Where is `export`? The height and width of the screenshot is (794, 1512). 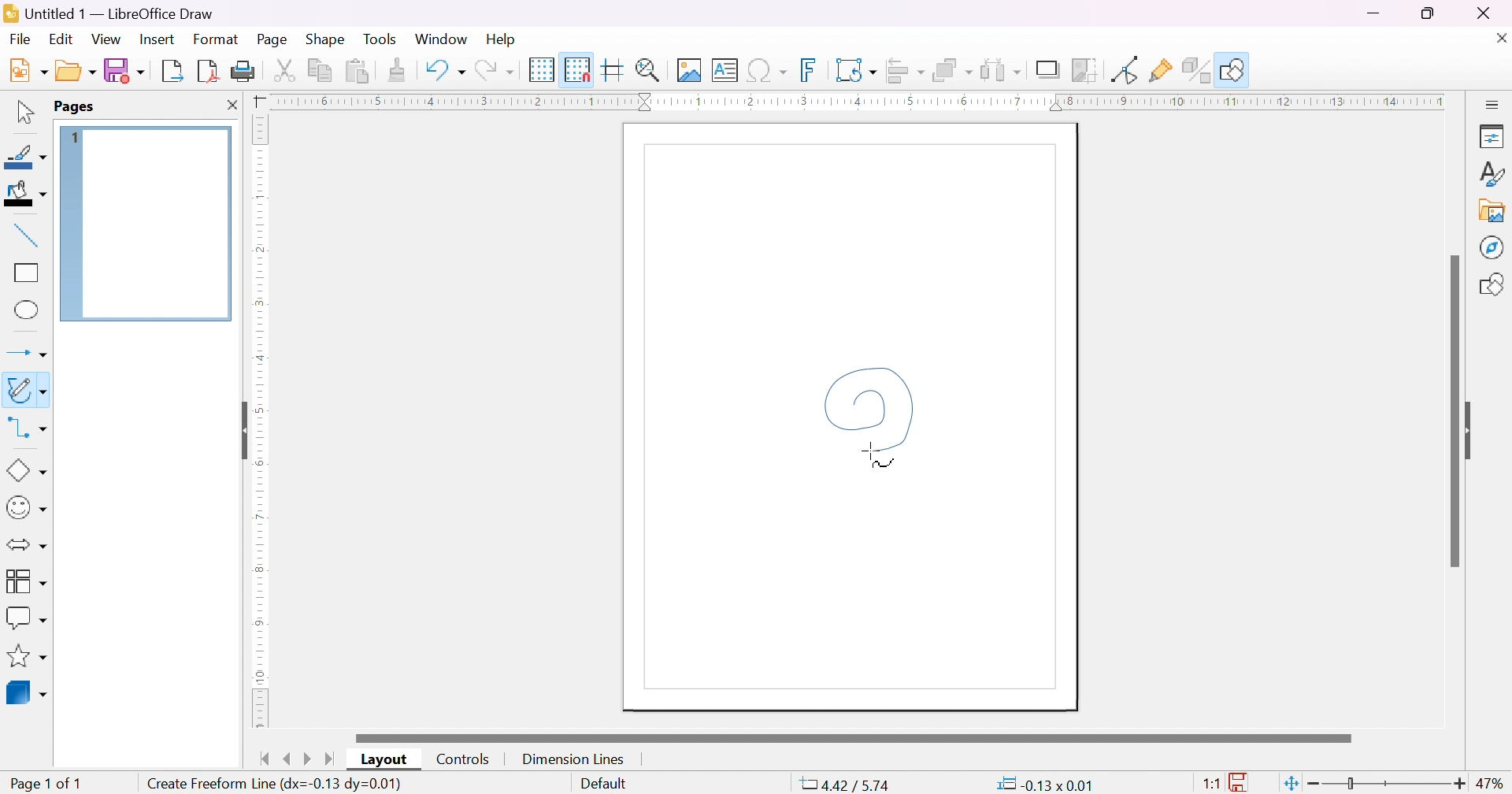 export is located at coordinates (175, 71).